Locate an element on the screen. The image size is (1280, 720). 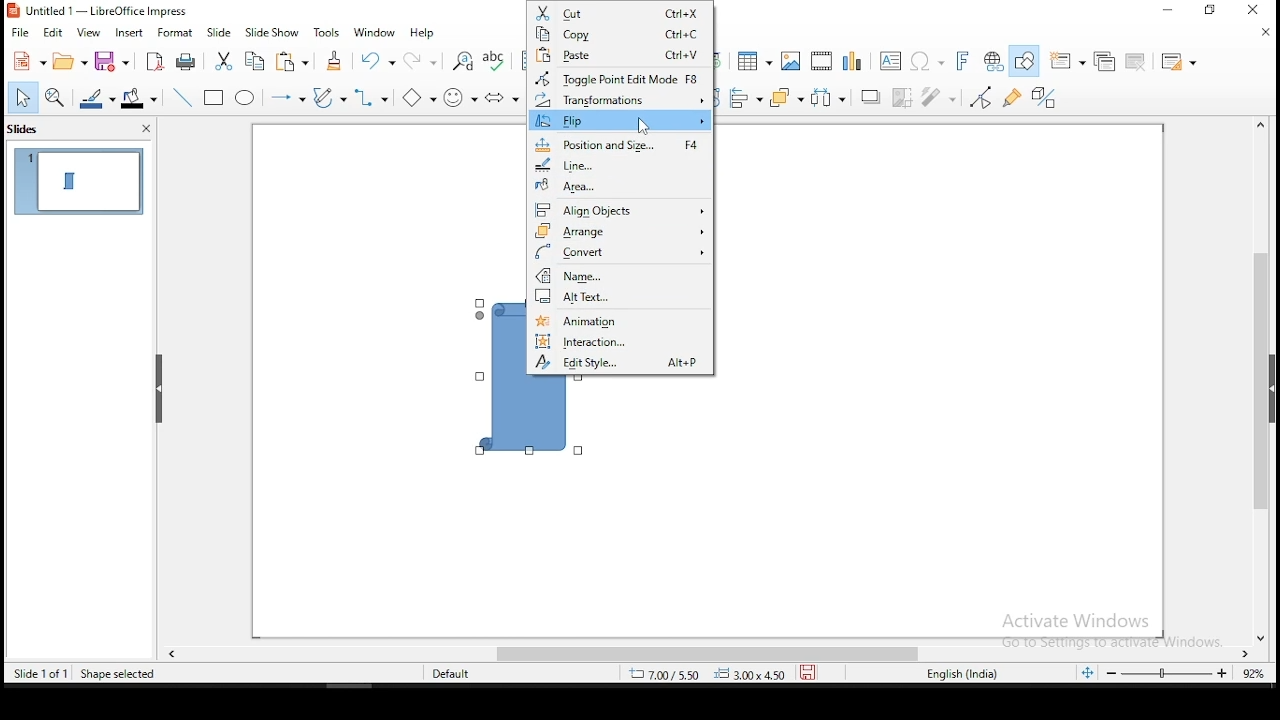
zoom and pan is located at coordinates (55, 95).